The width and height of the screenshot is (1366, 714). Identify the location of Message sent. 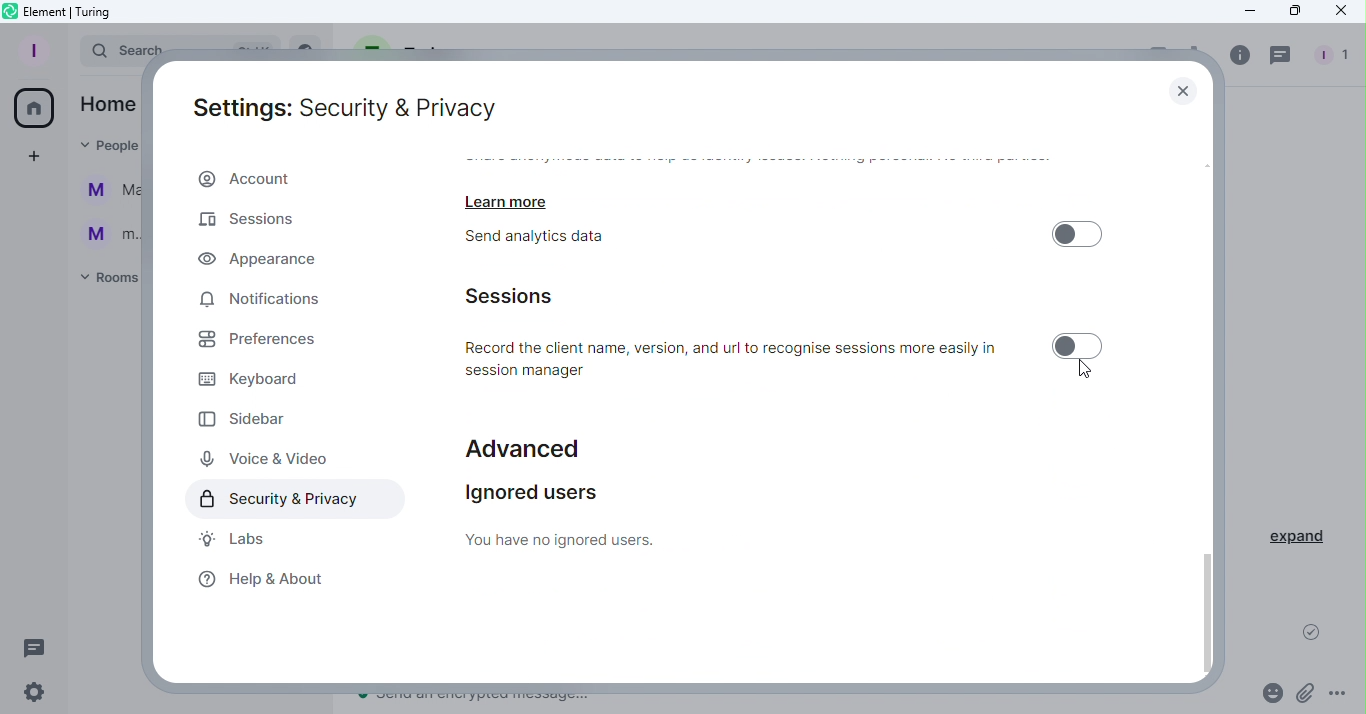
(1312, 636).